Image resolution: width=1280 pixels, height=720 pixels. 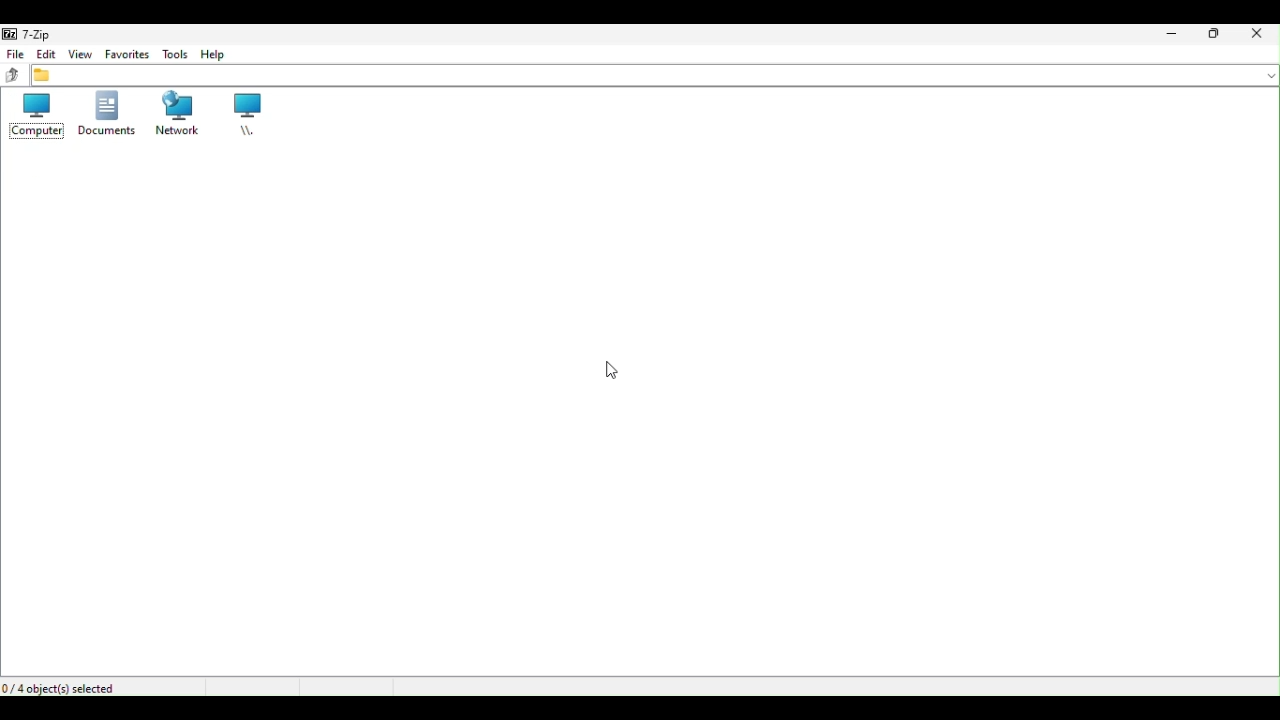 What do you see at coordinates (217, 56) in the screenshot?
I see `help` at bounding box center [217, 56].